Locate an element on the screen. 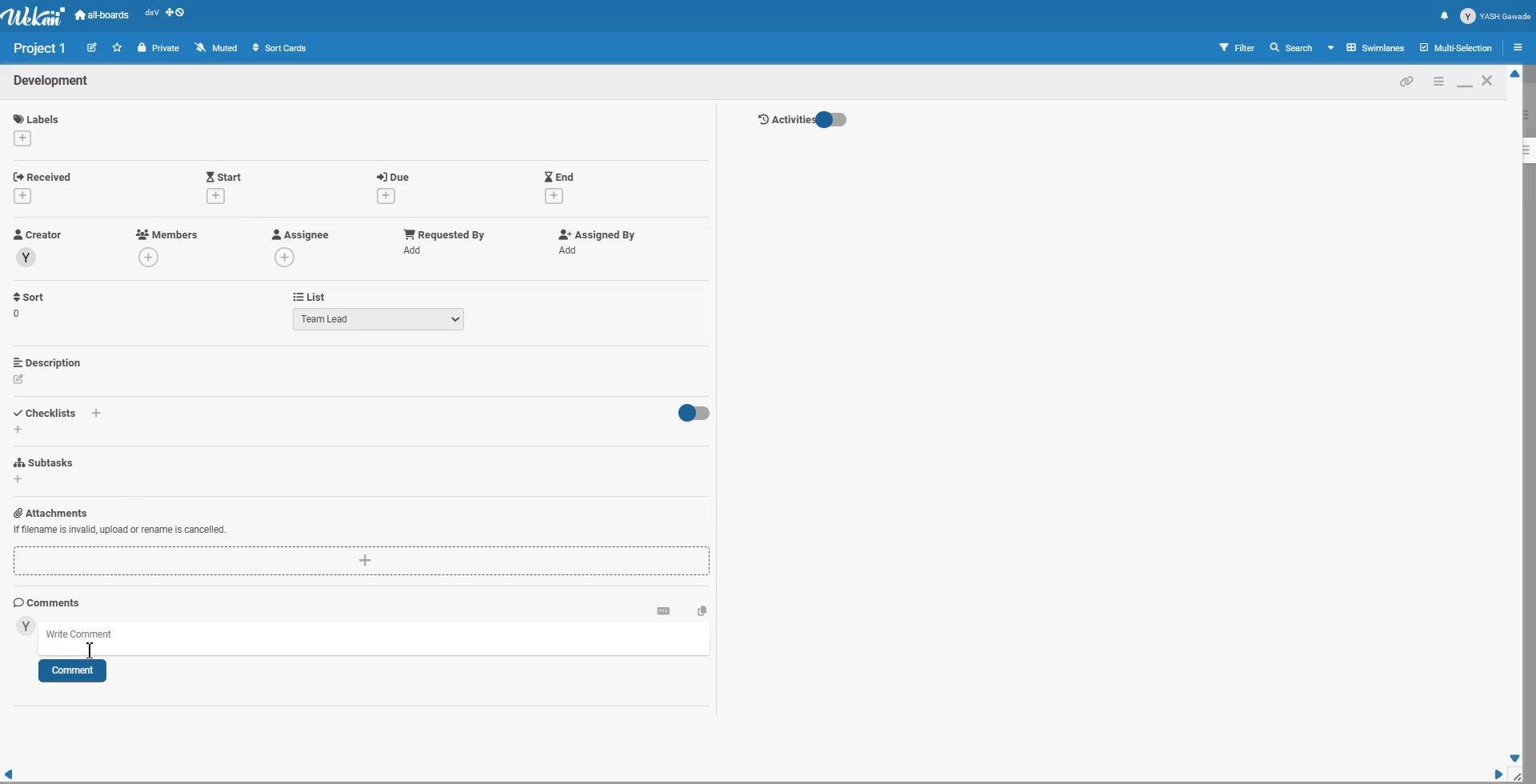  Sort is located at coordinates (30, 305).